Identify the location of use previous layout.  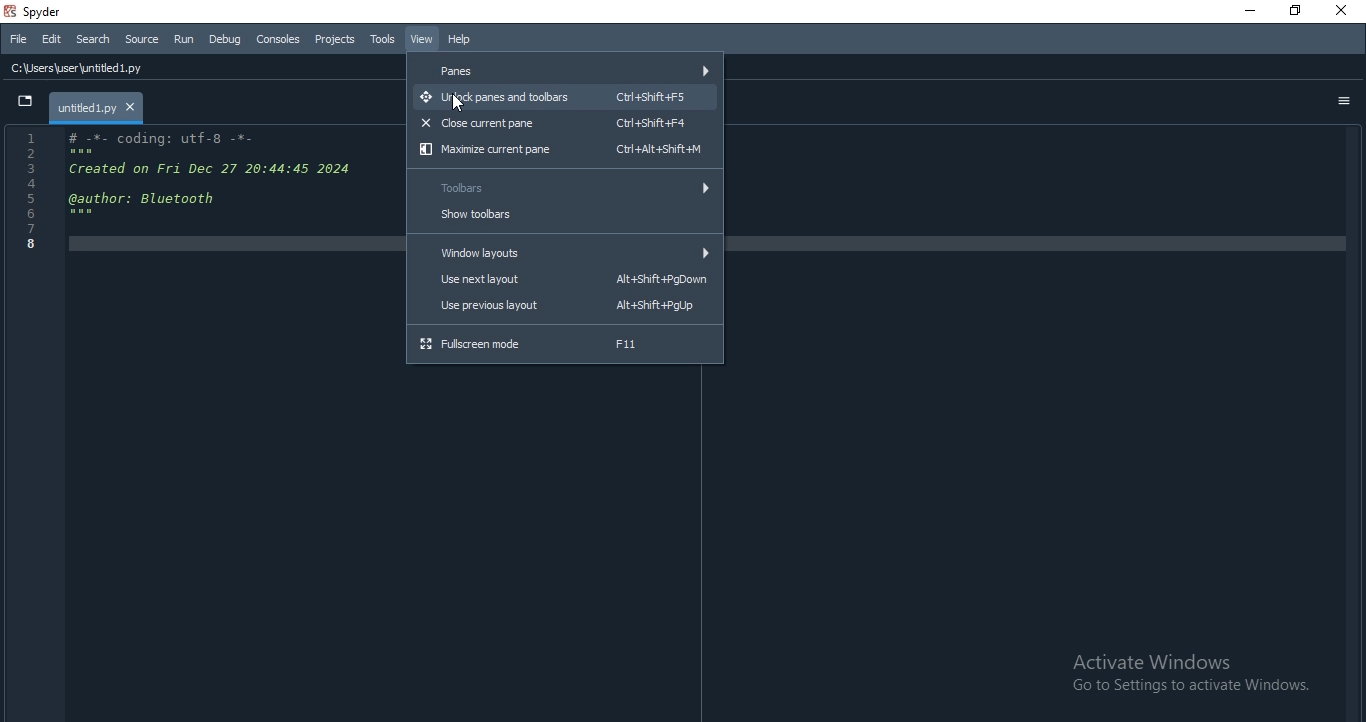
(565, 309).